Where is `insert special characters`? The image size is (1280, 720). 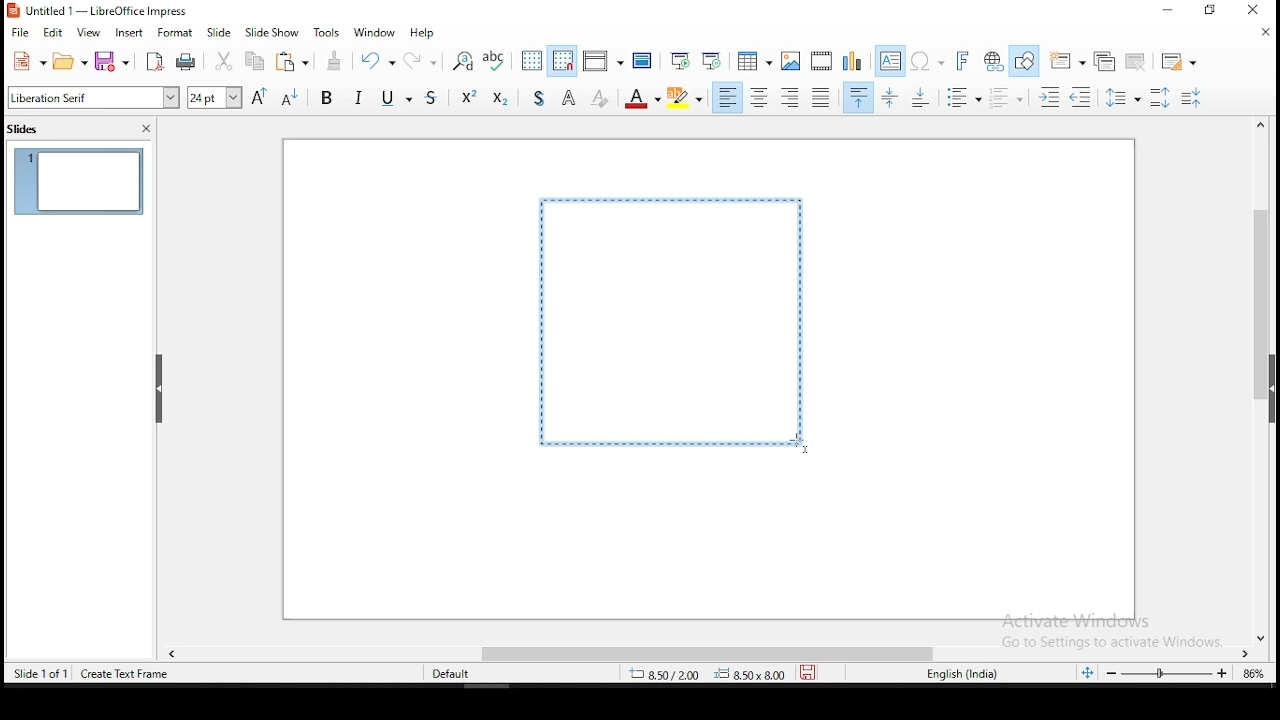
insert special characters is located at coordinates (926, 62).